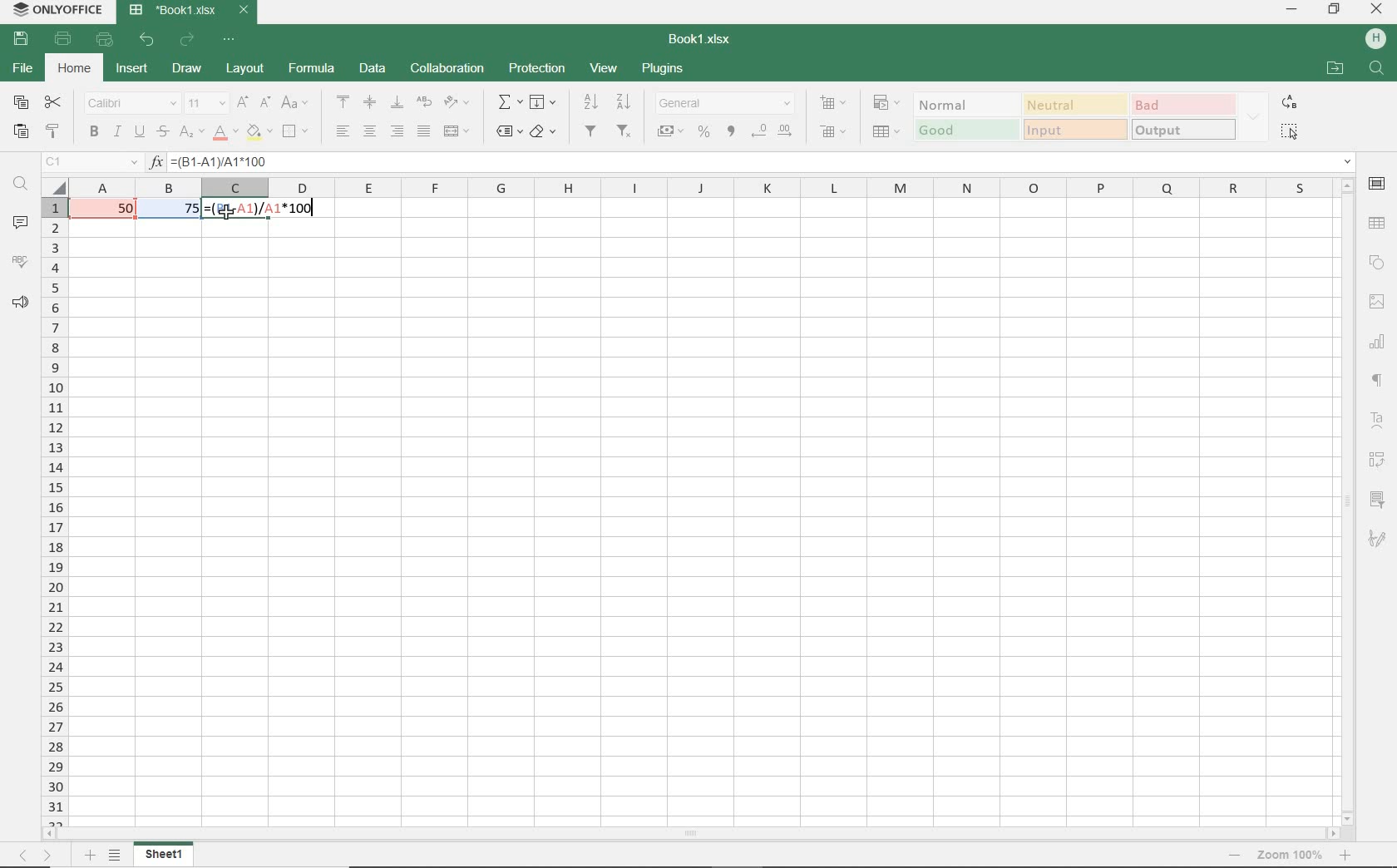 Image resolution: width=1397 pixels, height=868 pixels. I want to click on clear, so click(544, 131).